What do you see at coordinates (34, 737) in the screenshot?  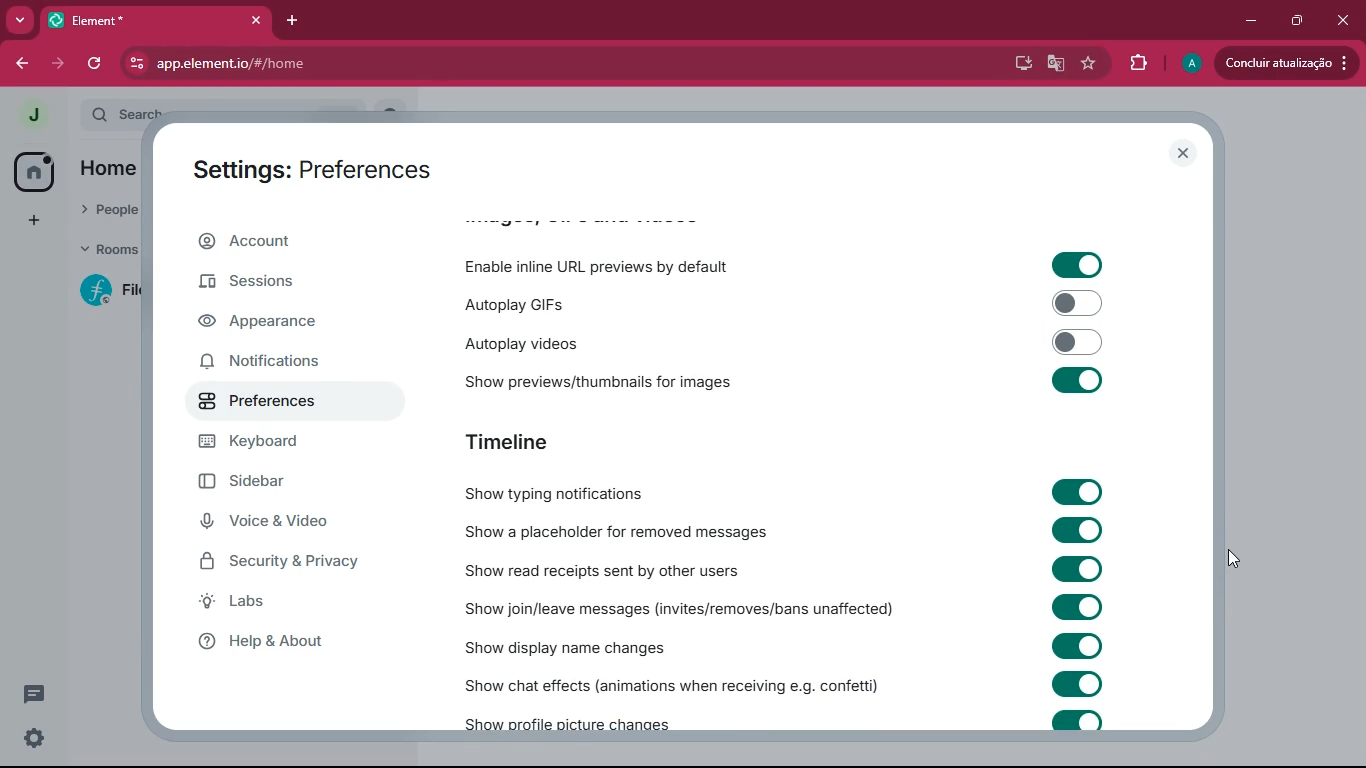 I see `quick settings` at bounding box center [34, 737].